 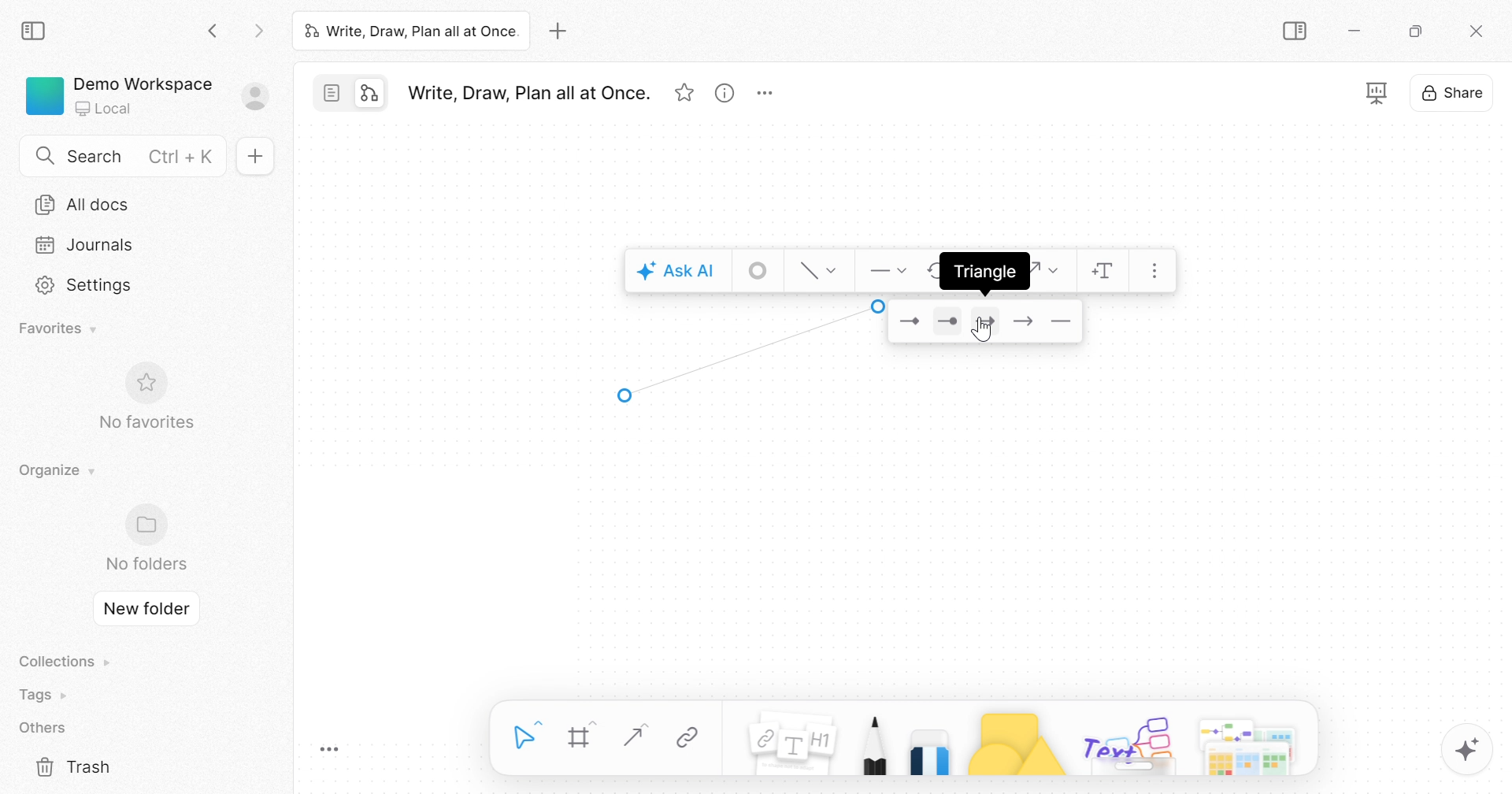 What do you see at coordinates (105, 109) in the screenshot?
I see `Local` at bounding box center [105, 109].